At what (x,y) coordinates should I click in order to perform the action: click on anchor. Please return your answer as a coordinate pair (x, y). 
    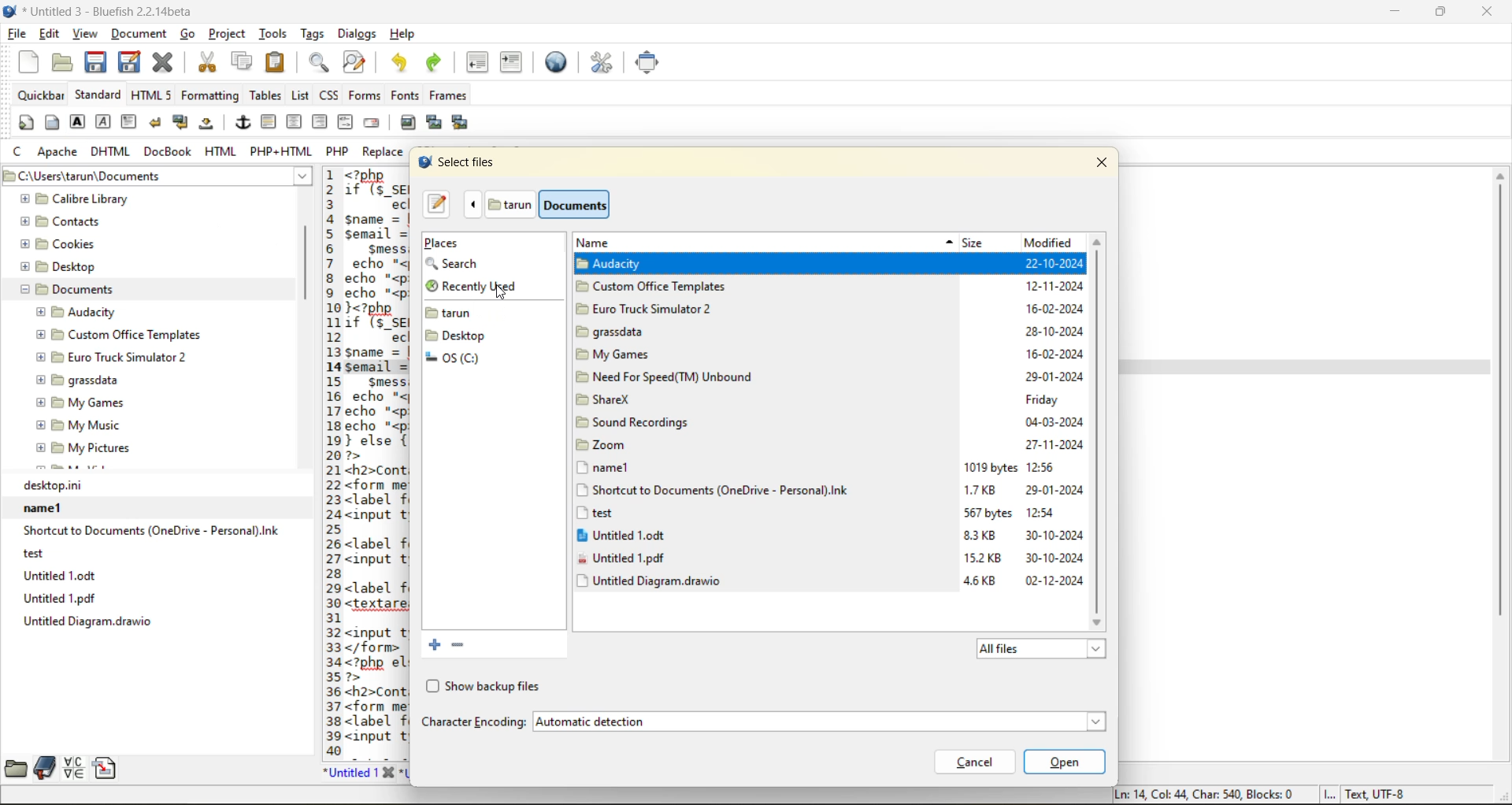
    Looking at the image, I should click on (243, 124).